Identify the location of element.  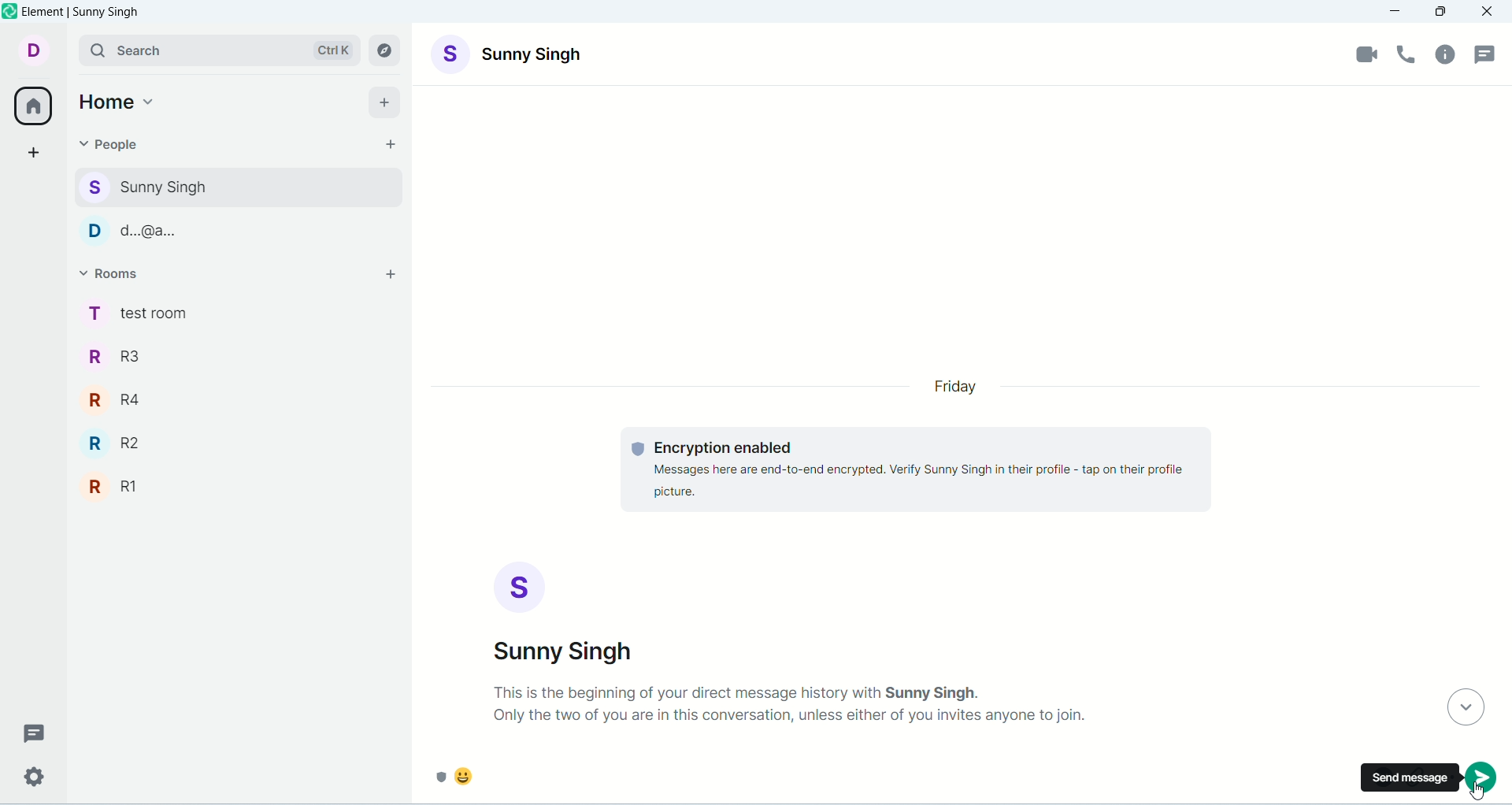
(83, 11).